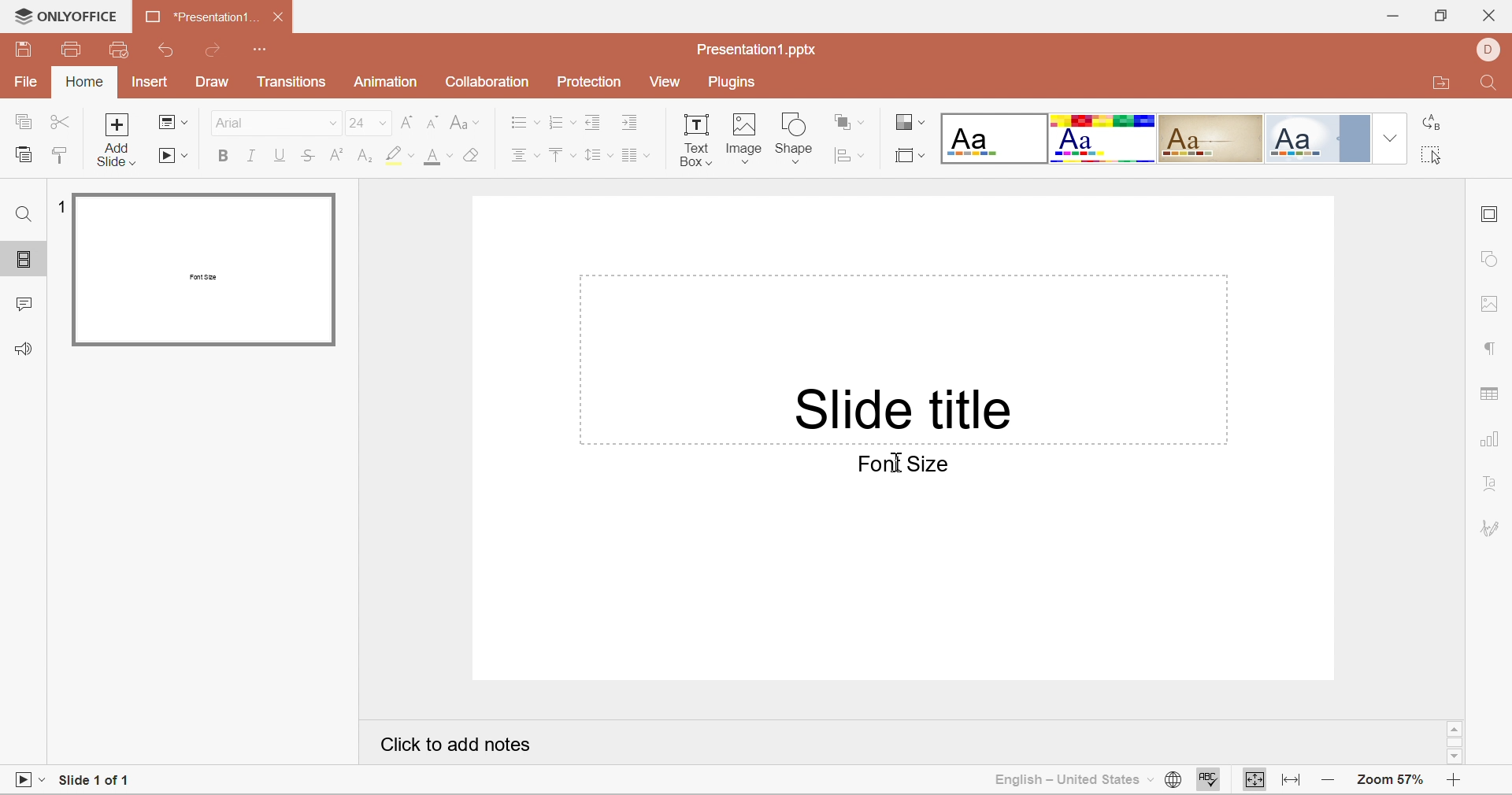  I want to click on Presentation1.pptx, so click(757, 50).